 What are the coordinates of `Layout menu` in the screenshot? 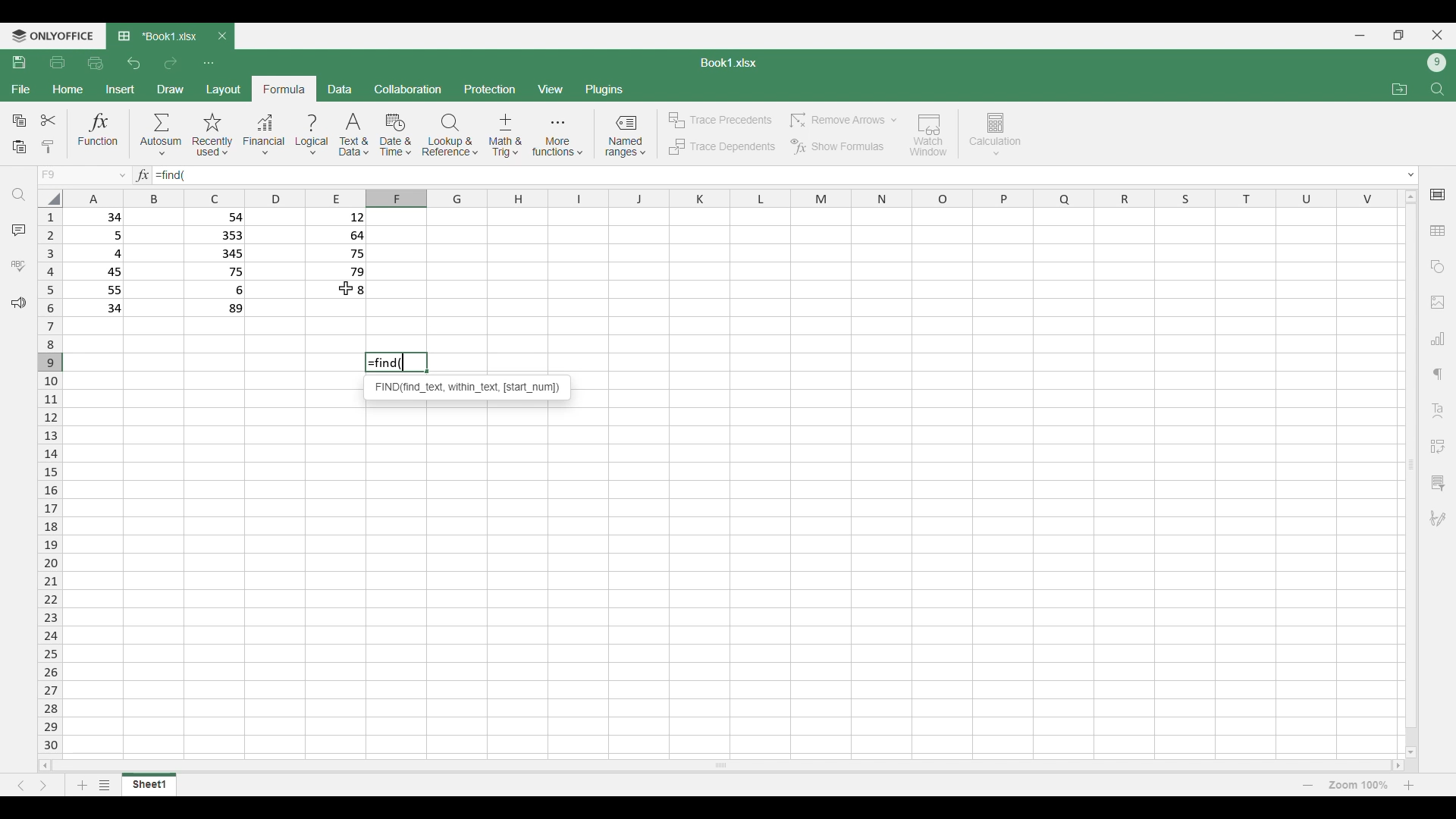 It's located at (224, 89).